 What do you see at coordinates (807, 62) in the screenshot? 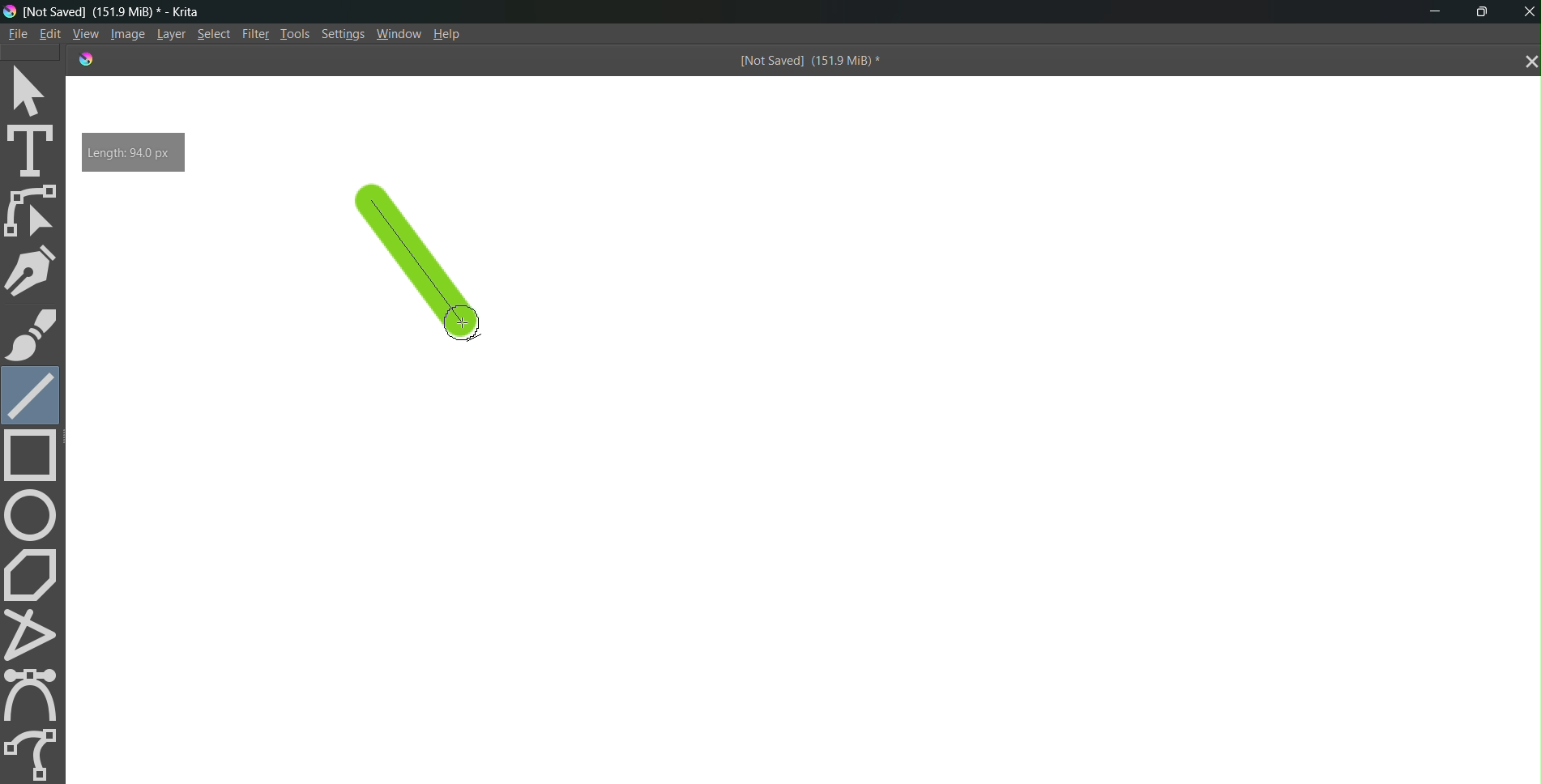
I see `[Not Saved] (151.9 MiB) *` at bounding box center [807, 62].